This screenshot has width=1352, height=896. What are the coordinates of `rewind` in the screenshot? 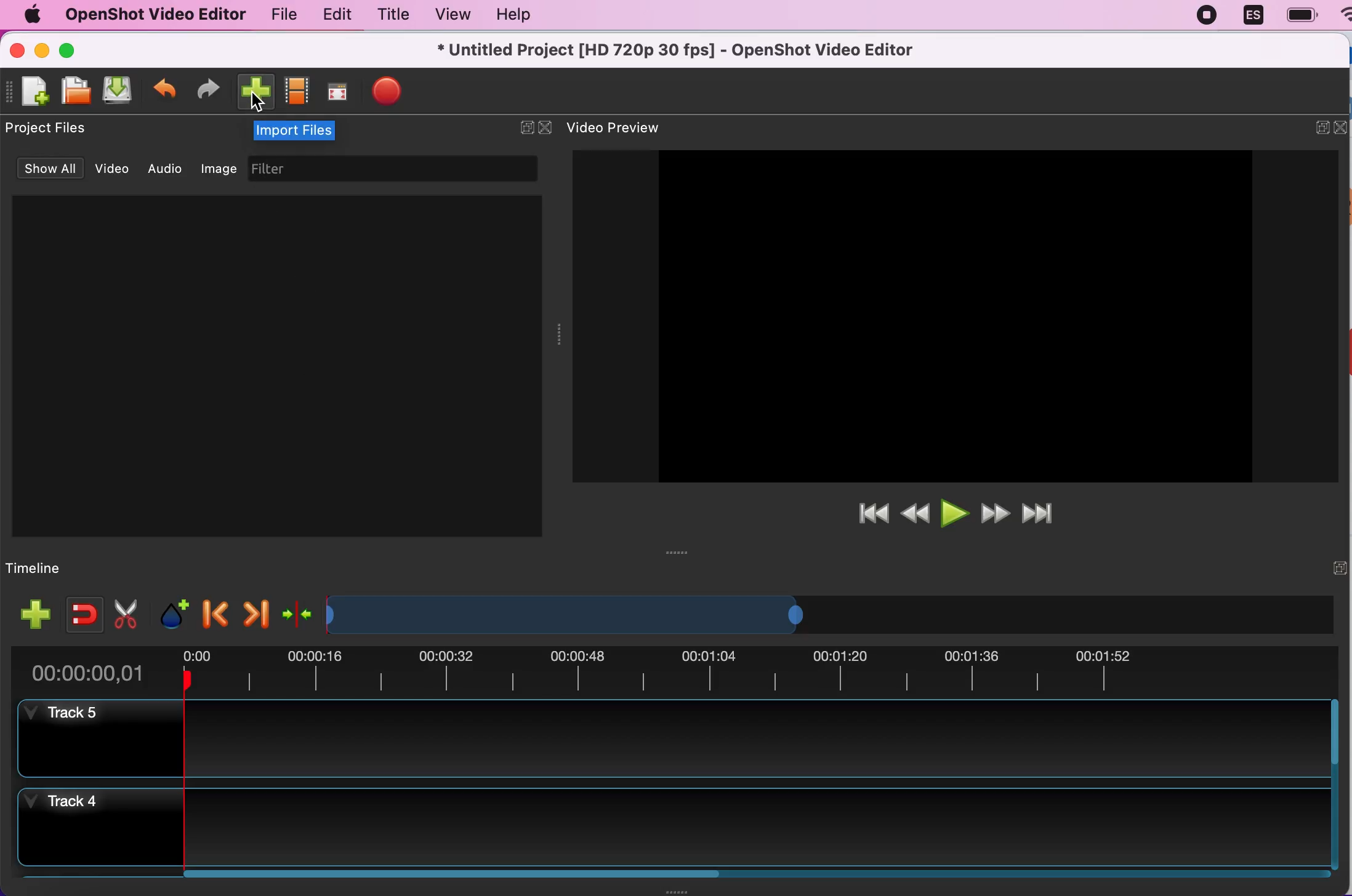 It's located at (915, 512).